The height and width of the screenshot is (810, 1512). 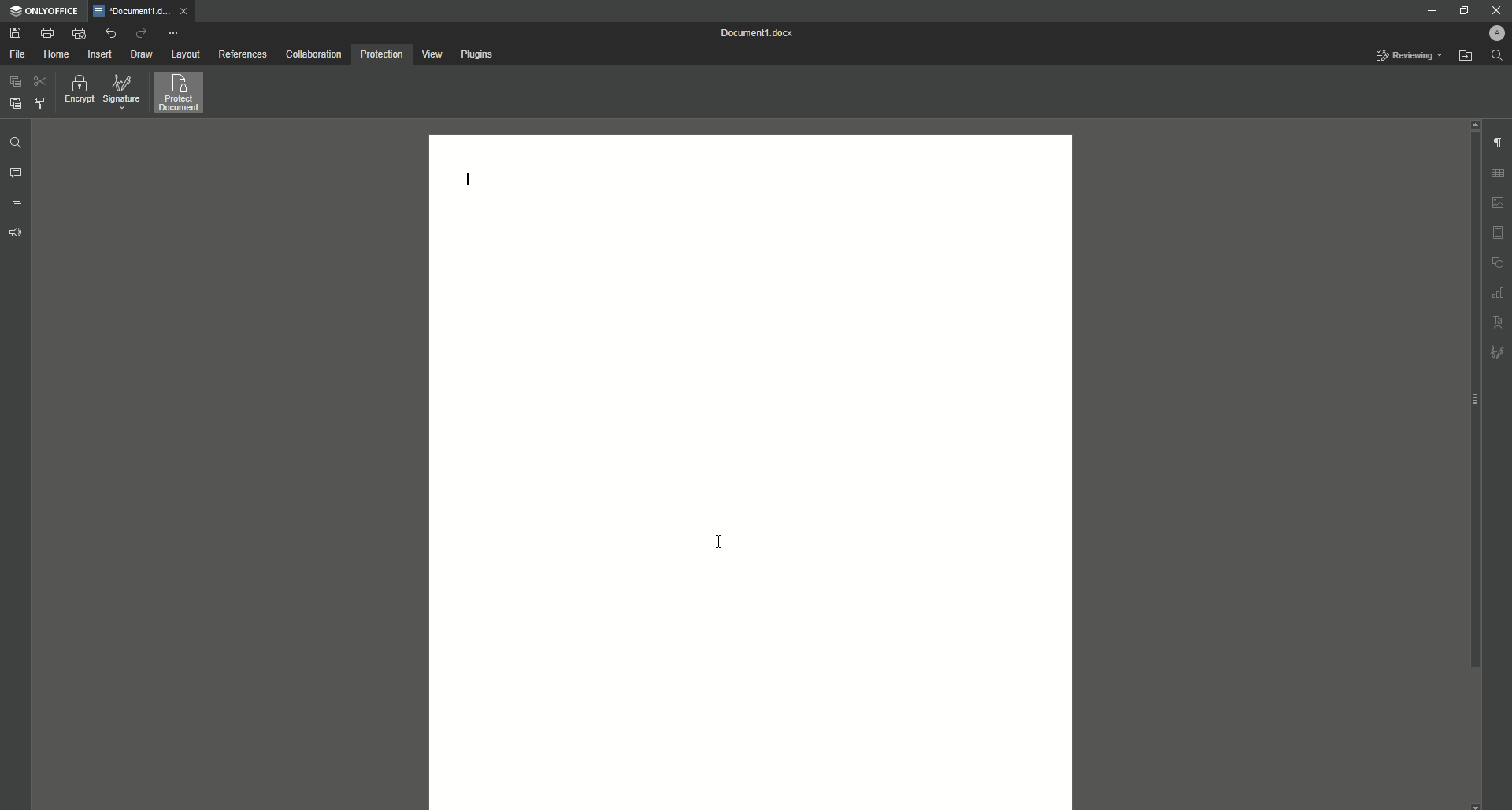 What do you see at coordinates (40, 102) in the screenshot?
I see `Choose Styling` at bounding box center [40, 102].